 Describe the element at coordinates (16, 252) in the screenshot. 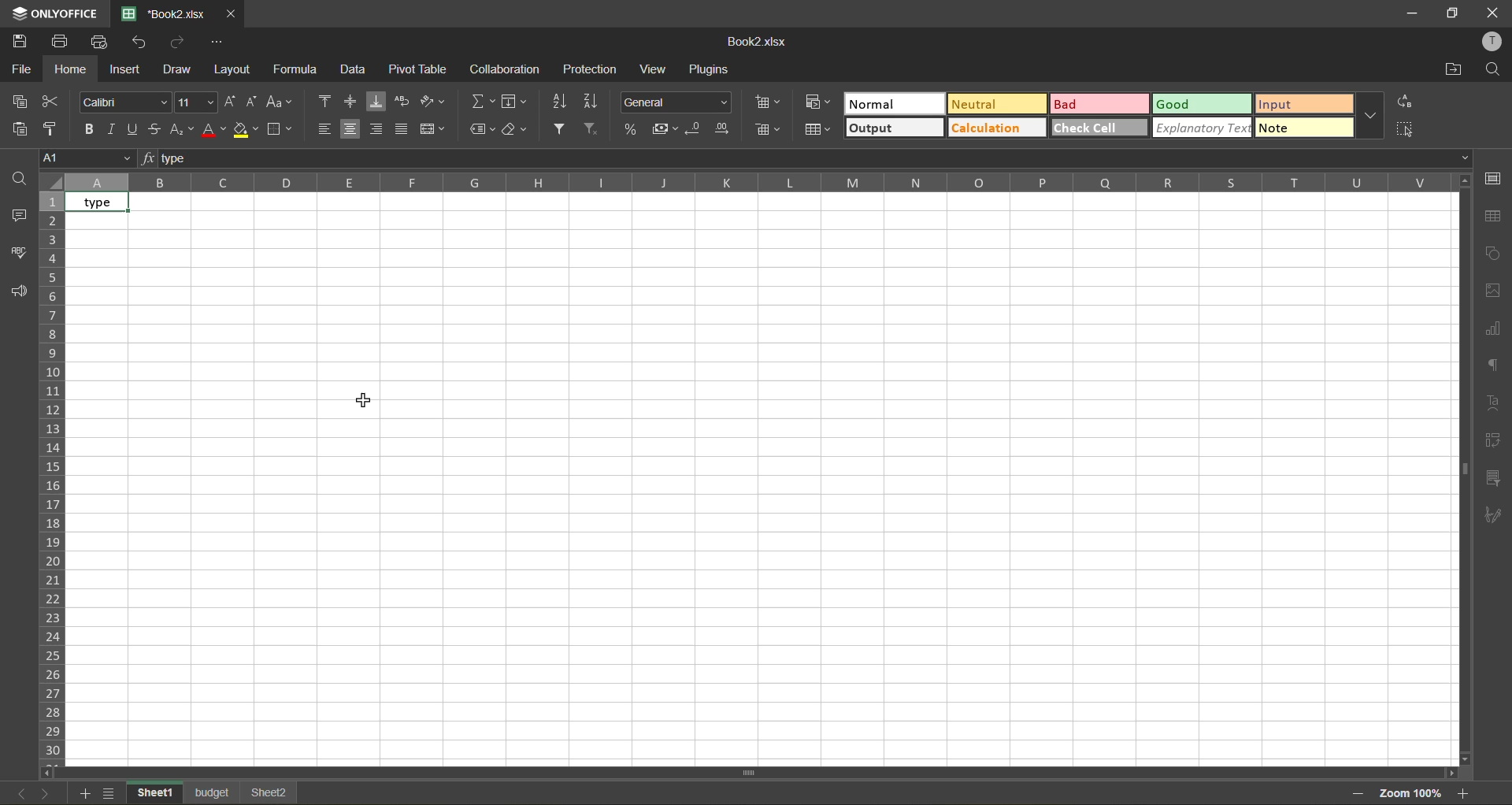

I see `spellcheck` at that location.